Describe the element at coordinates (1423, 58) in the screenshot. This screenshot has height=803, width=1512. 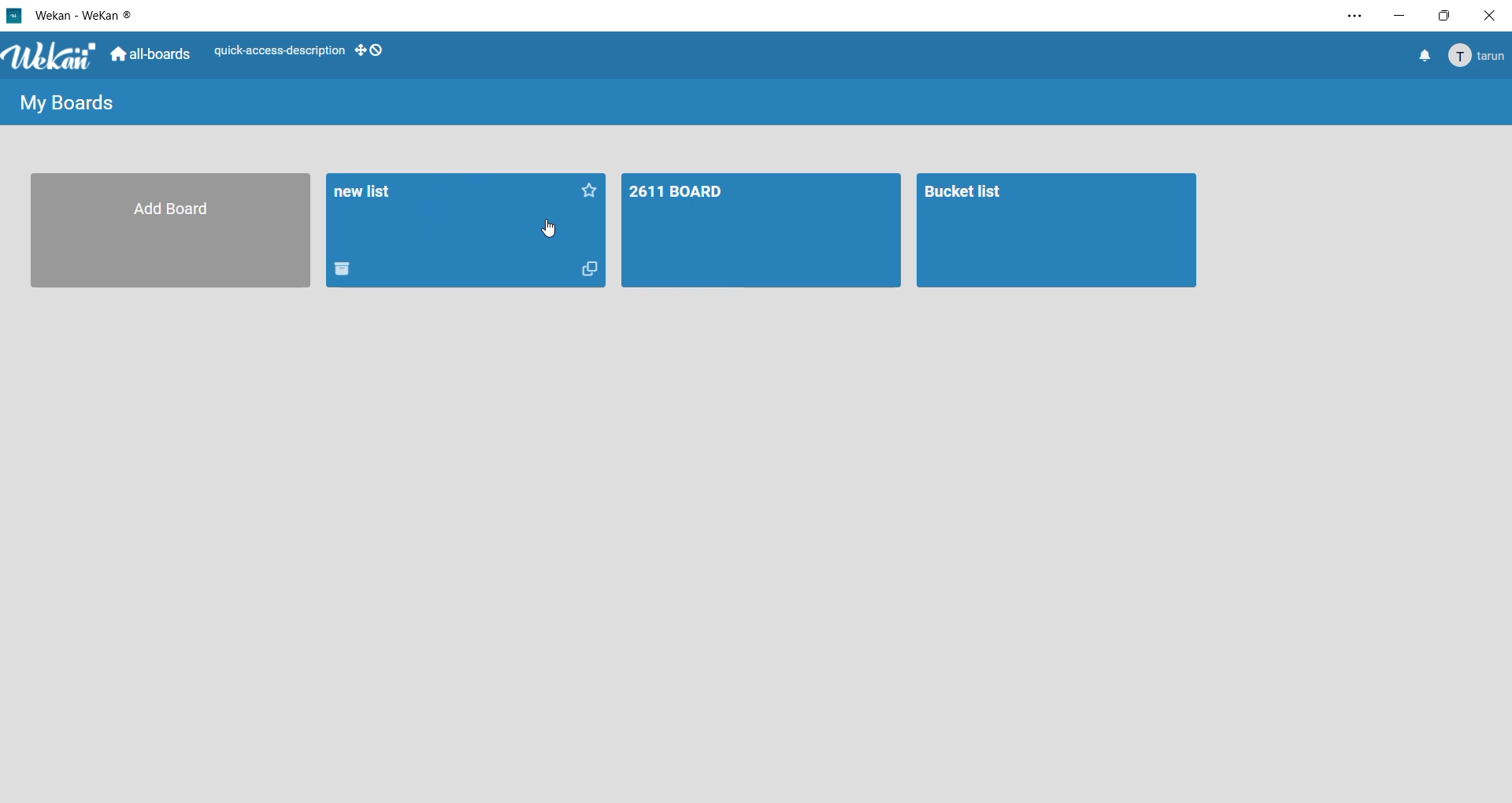
I see `notifications` at that location.